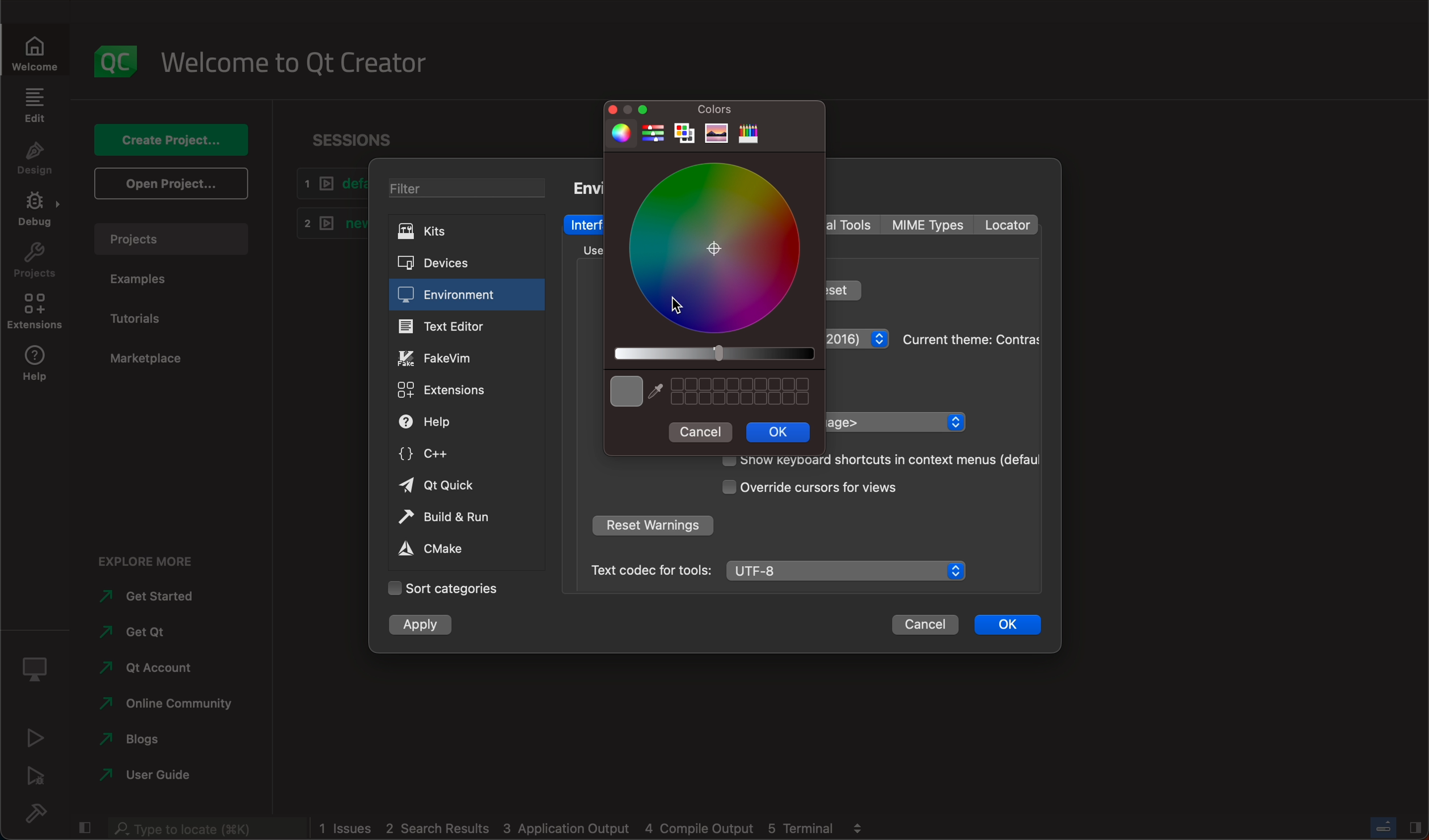 The image size is (1429, 840). What do you see at coordinates (859, 341) in the screenshot?
I see `theme` at bounding box center [859, 341].